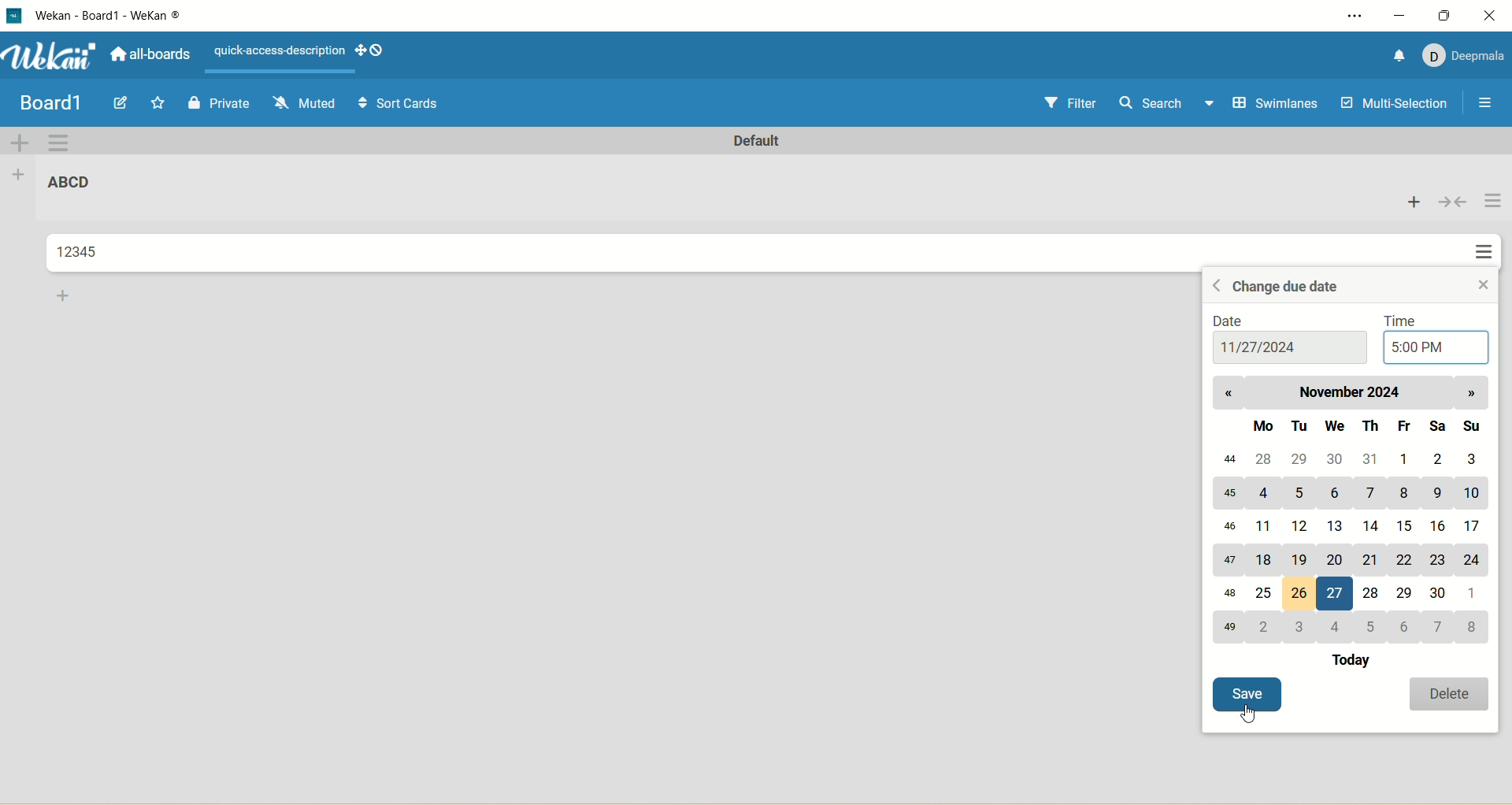  What do you see at coordinates (80, 252) in the screenshot?
I see `card title` at bounding box center [80, 252].